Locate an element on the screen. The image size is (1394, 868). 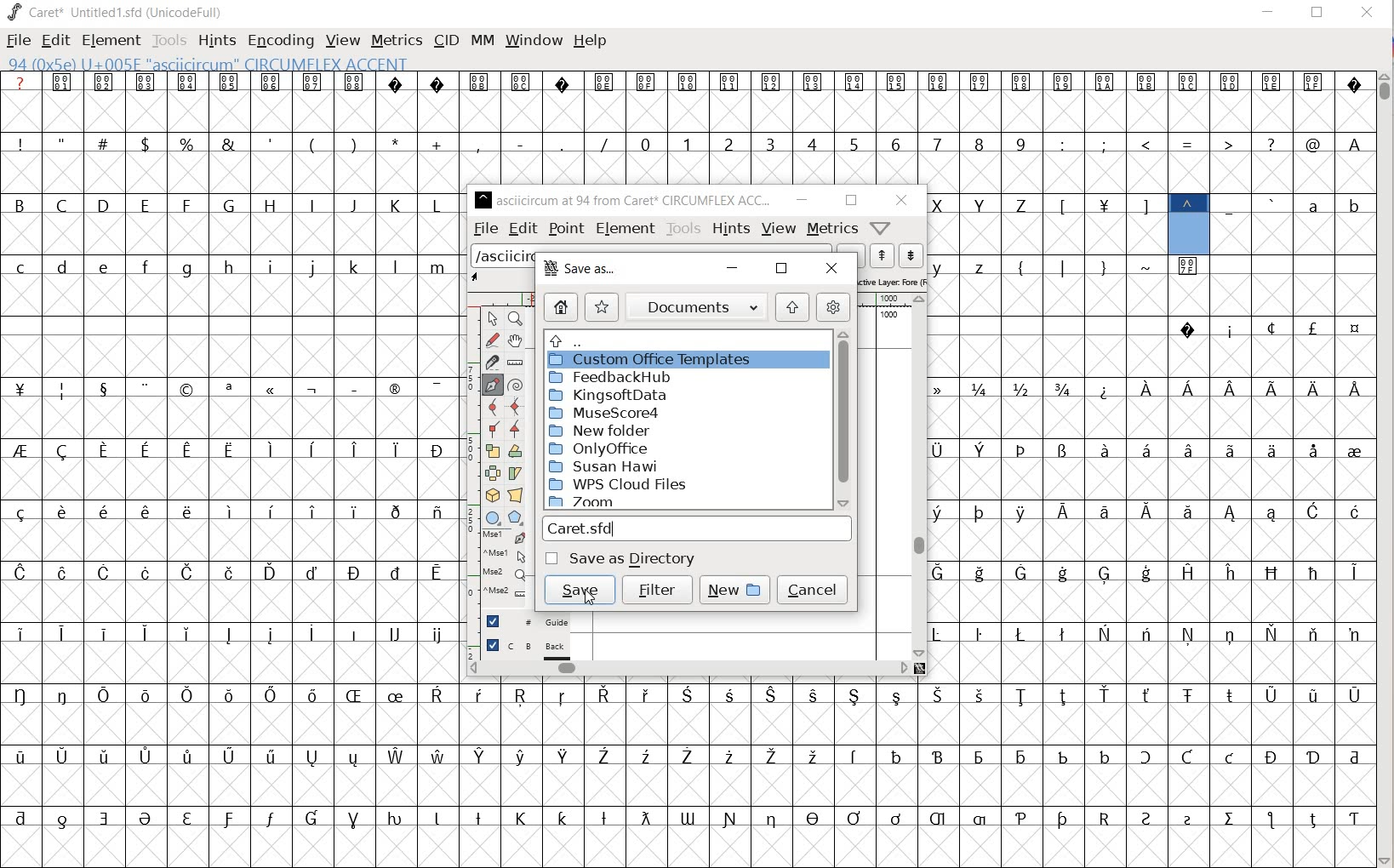
close is located at coordinates (901, 200).